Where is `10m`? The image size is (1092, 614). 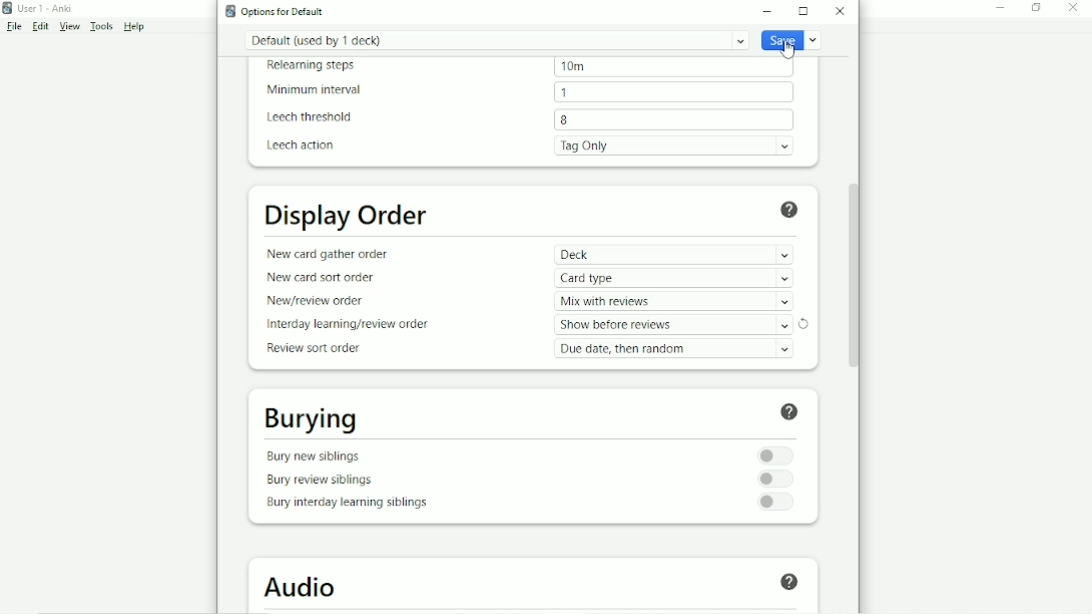
10m is located at coordinates (673, 67).